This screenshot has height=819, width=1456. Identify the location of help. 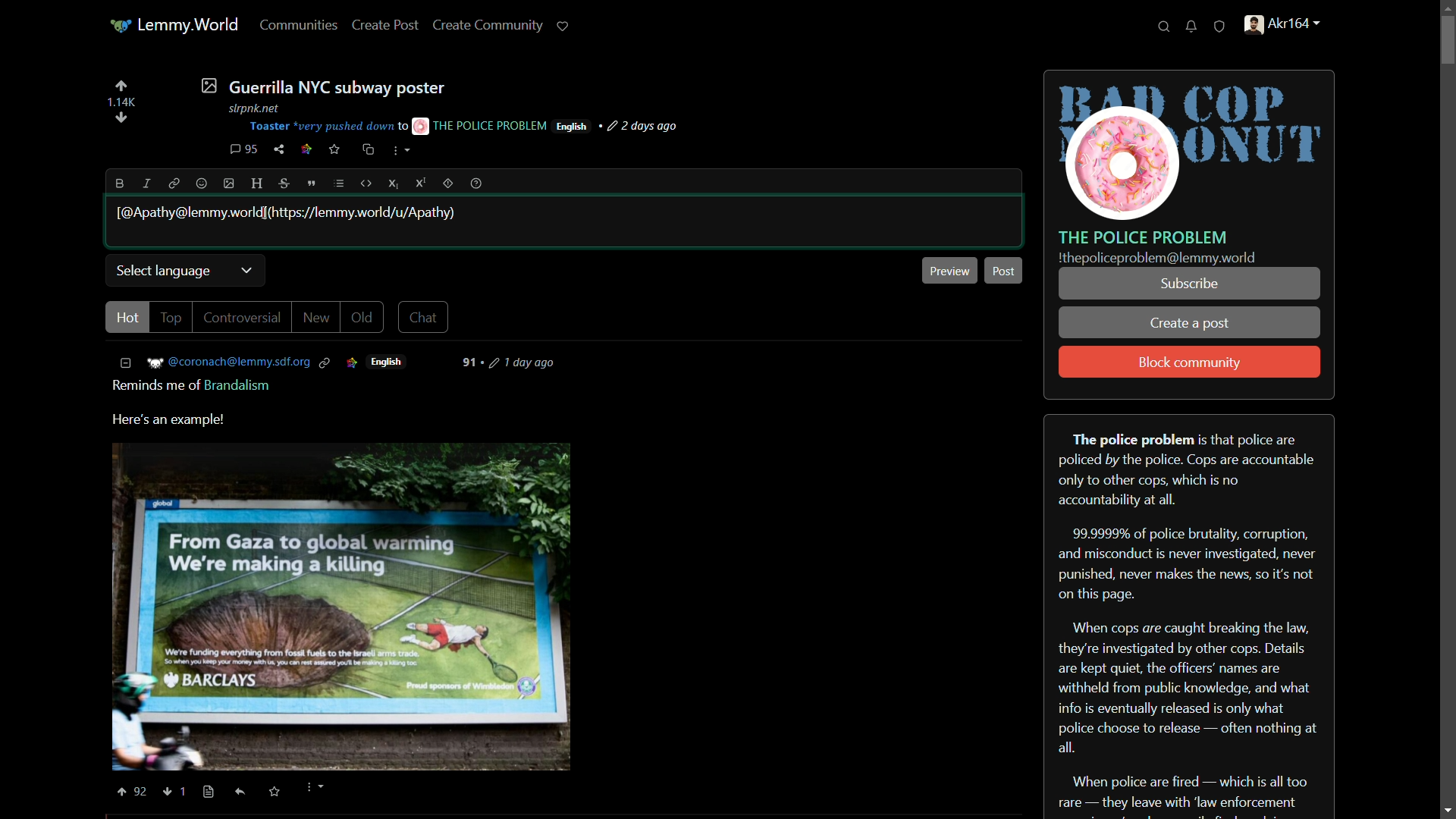
(476, 184).